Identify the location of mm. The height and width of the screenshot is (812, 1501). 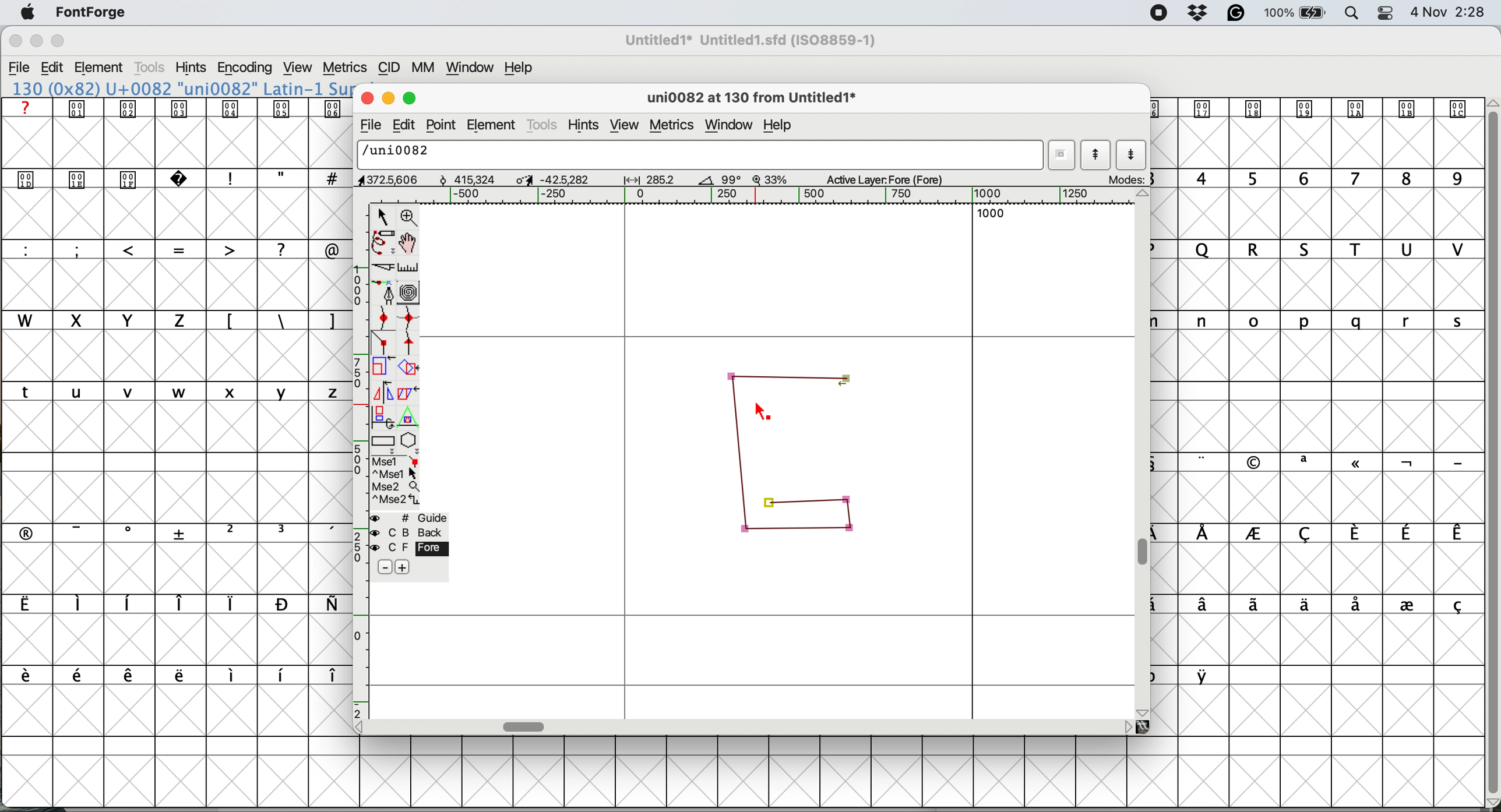
(427, 68).